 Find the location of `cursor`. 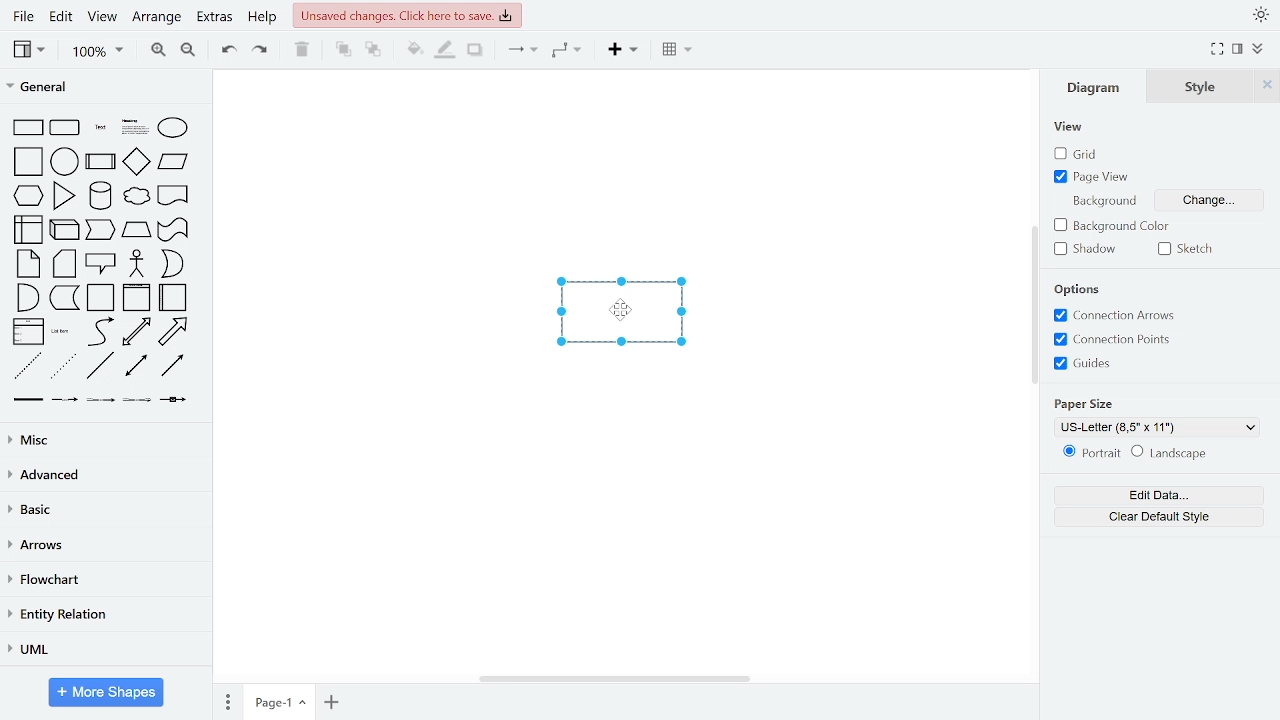

cursor is located at coordinates (623, 312).